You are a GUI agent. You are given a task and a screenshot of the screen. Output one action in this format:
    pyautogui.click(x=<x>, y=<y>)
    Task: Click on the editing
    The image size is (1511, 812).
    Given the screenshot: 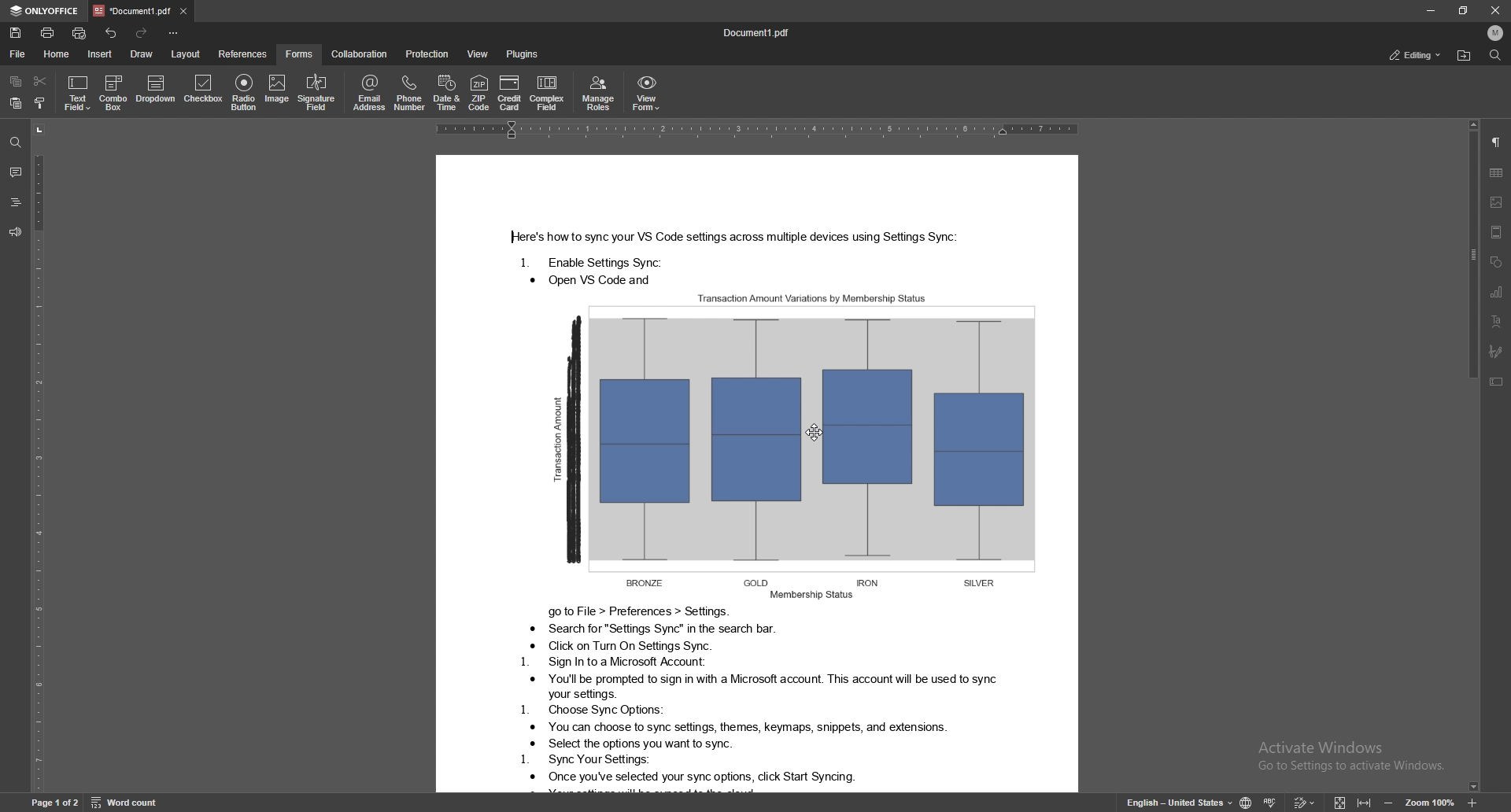 What is the action you would take?
    pyautogui.click(x=1417, y=56)
    